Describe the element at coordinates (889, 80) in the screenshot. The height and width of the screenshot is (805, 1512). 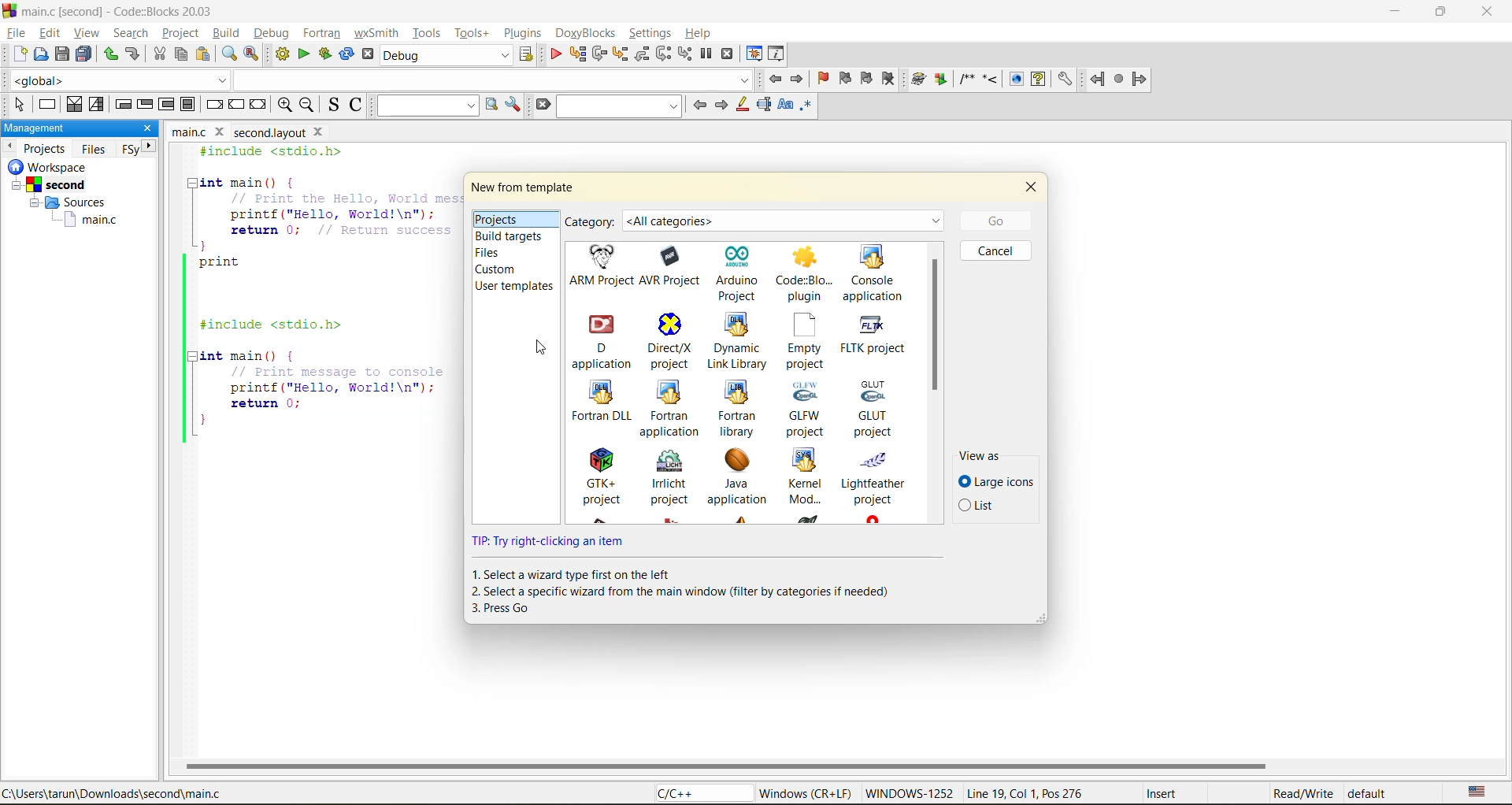
I see `clear bookmark` at that location.